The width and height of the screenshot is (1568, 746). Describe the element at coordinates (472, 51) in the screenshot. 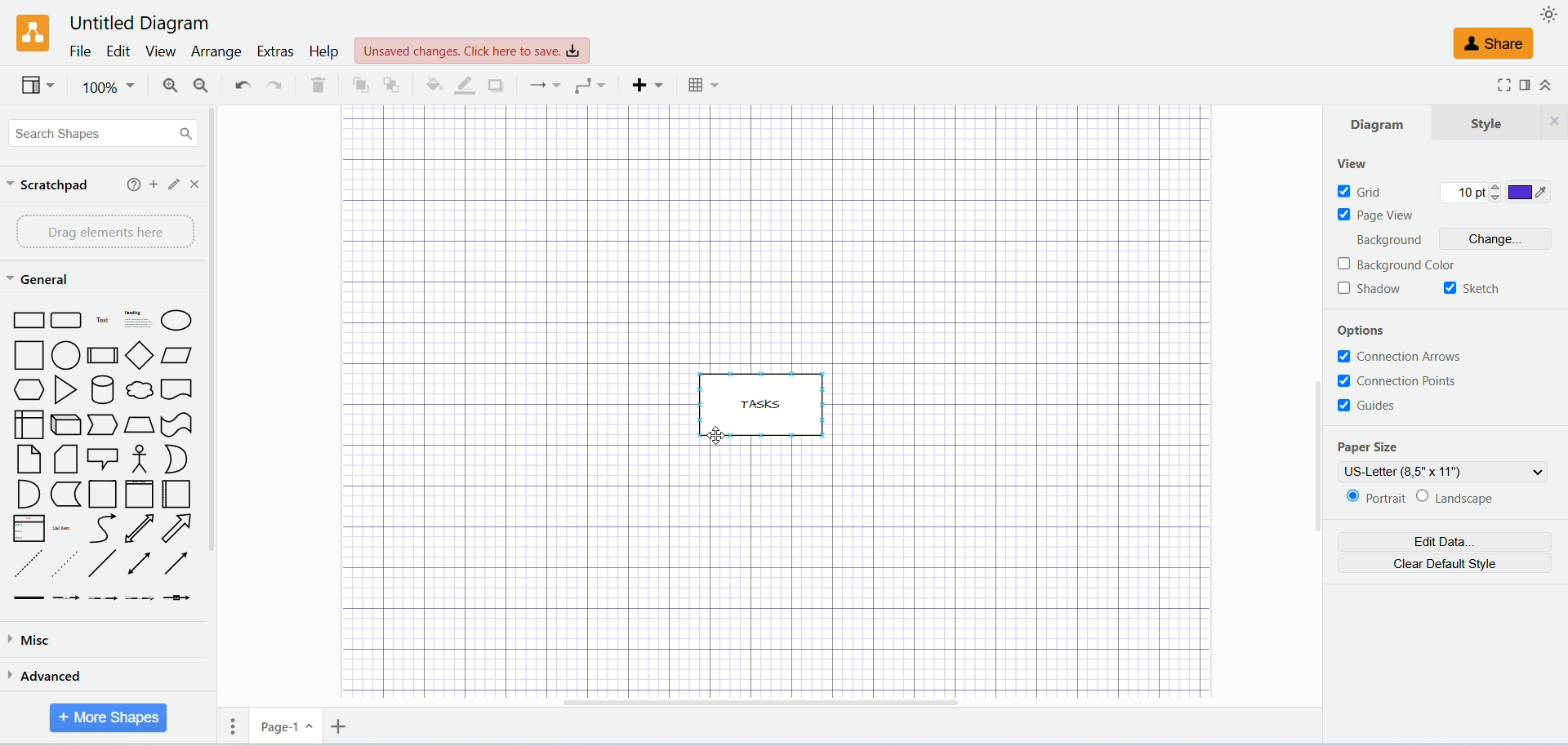

I see `click here to save` at that location.